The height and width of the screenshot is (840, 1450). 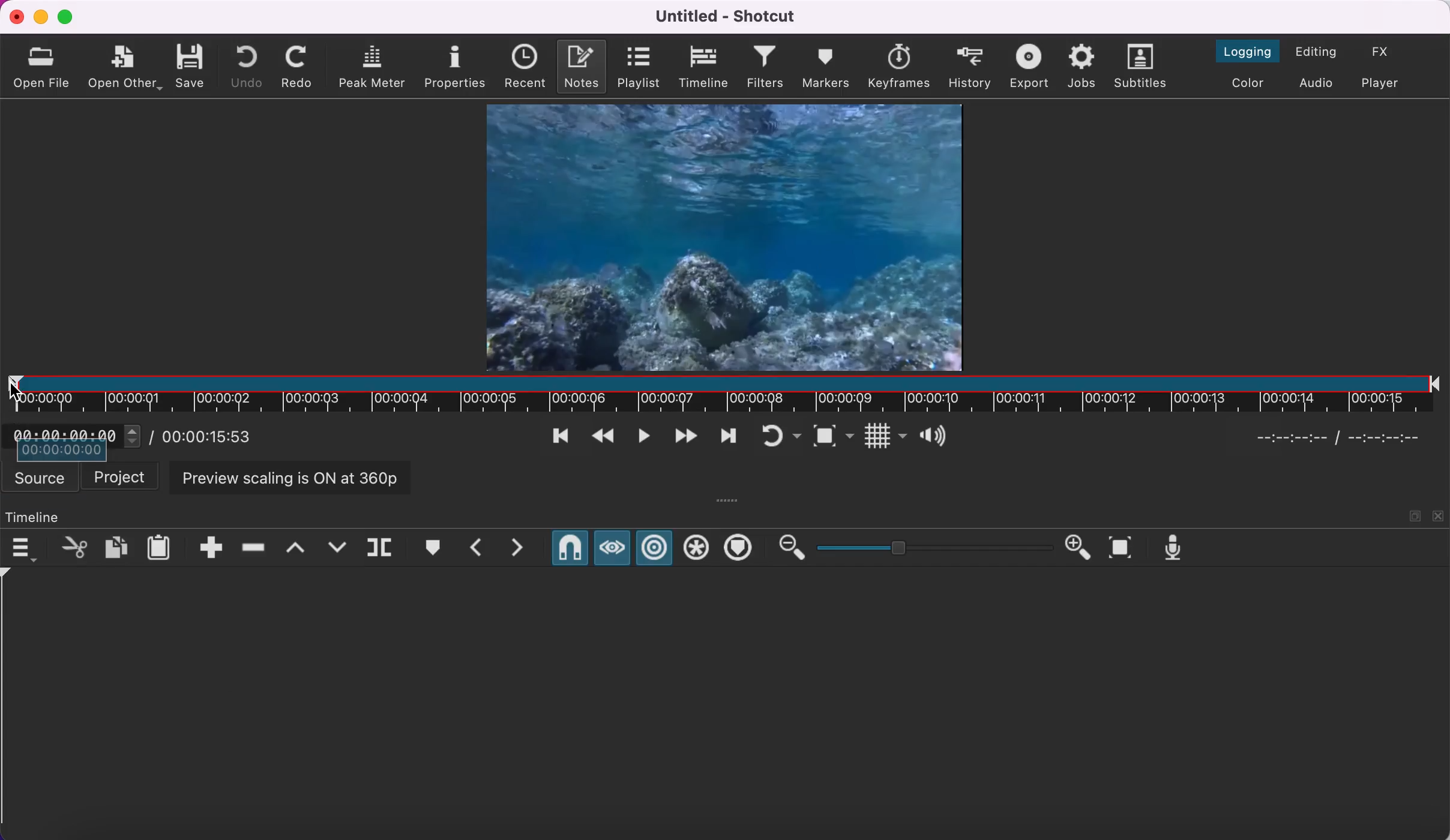 What do you see at coordinates (1439, 515) in the screenshot?
I see `close` at bounding box center [1439, 515].